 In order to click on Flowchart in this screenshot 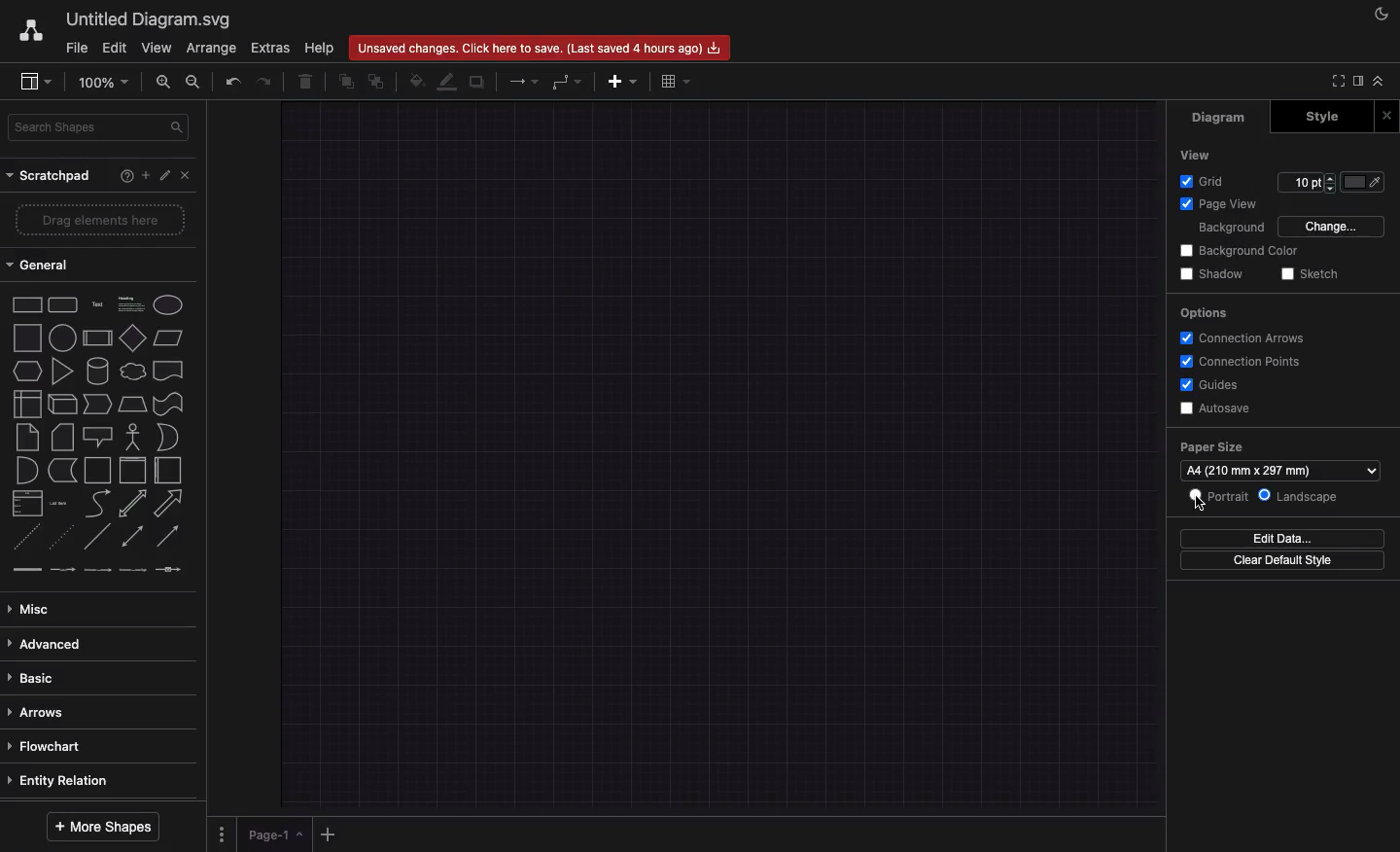, I will do `click(47, 745)`.